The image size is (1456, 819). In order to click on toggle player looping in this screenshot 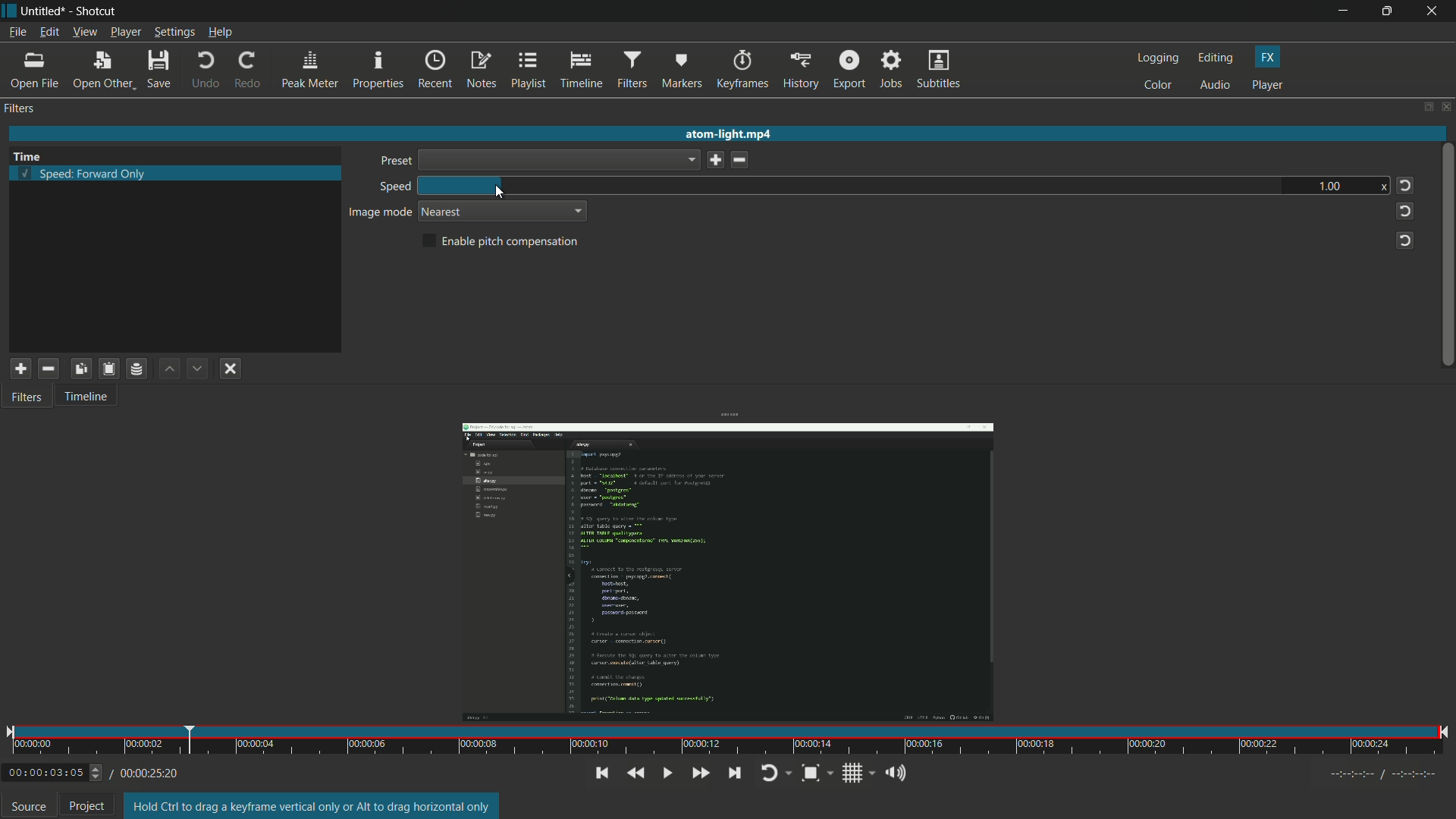, I will do `click(776, 773)`.